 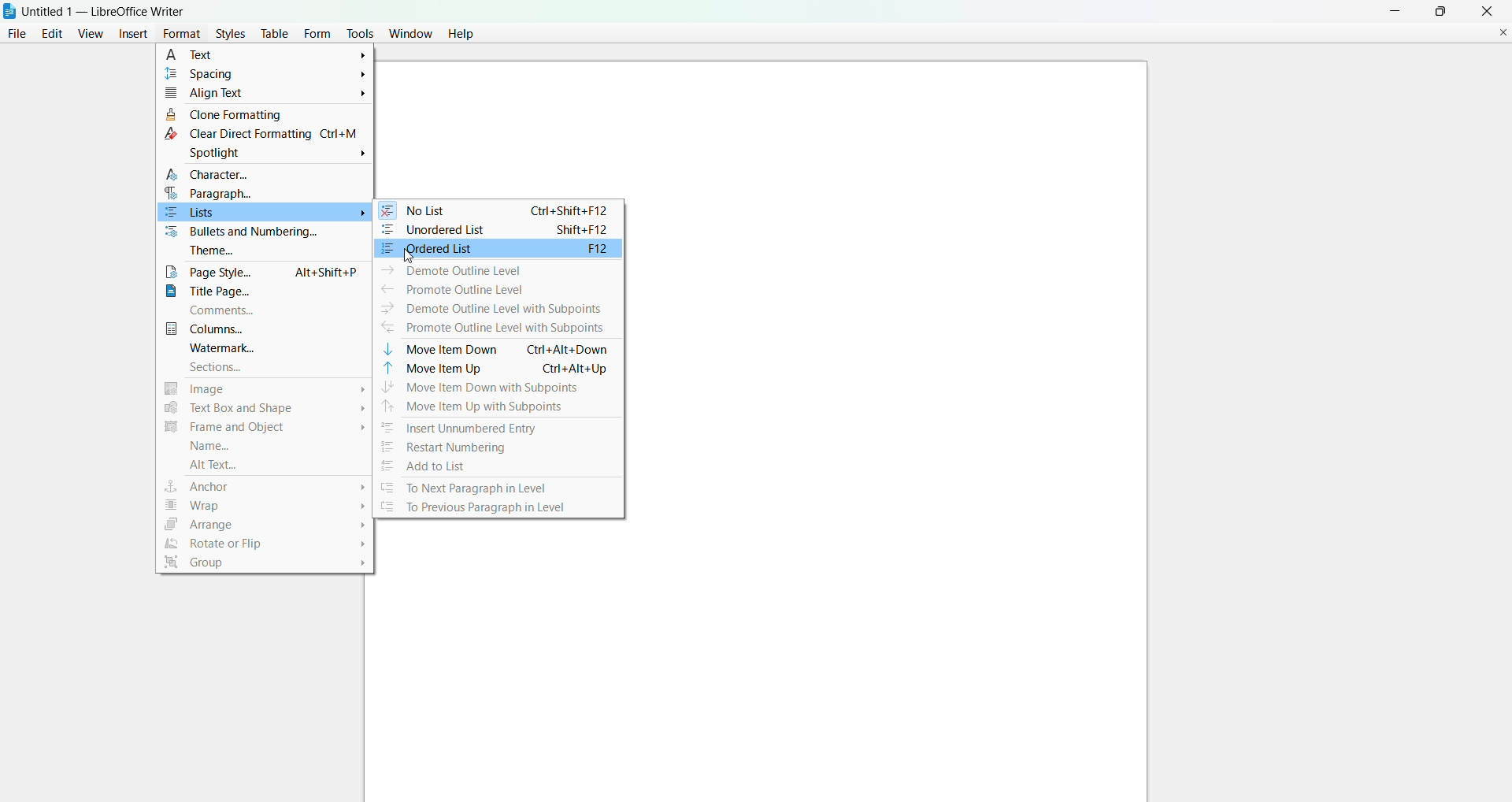 I want to click on arrange, so click(x=262, y=525).